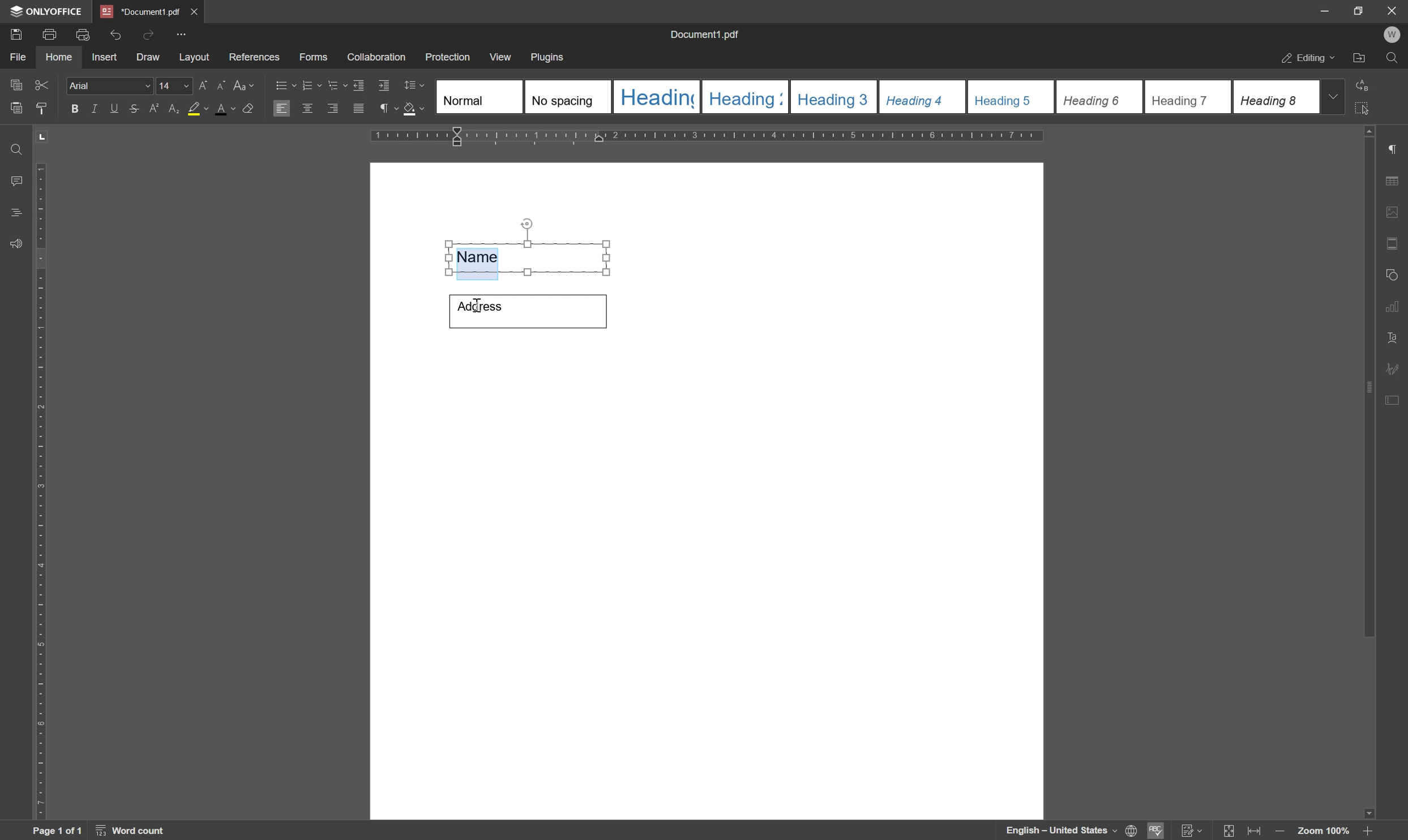  What do you see at coordinates (92, 108) in the screenshot?
I see `italic` at bounding box center [92, 108].